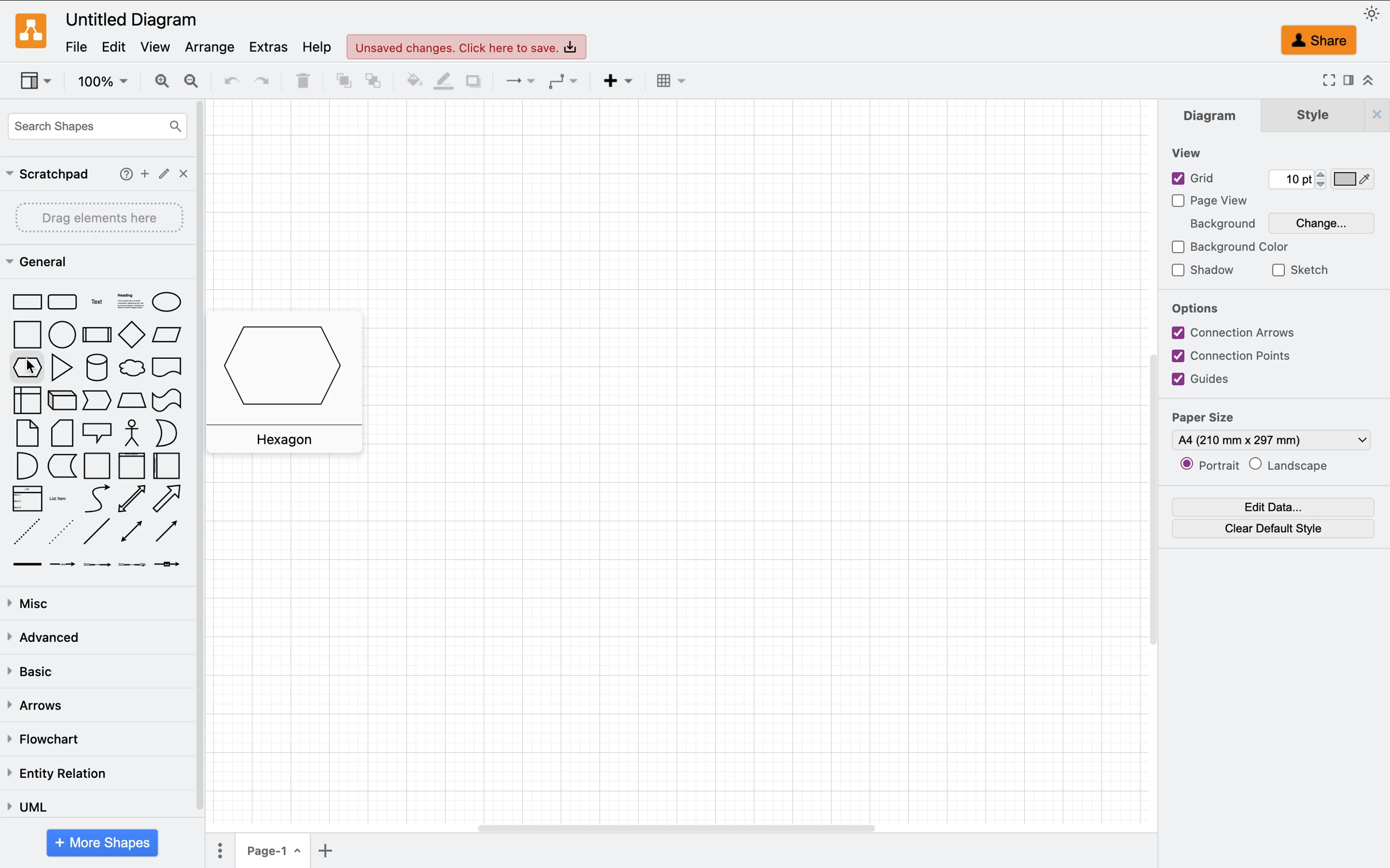  Describe the element at coordinates (94, 567) in the screenshot. I see `connector with 2 labels` at that location.